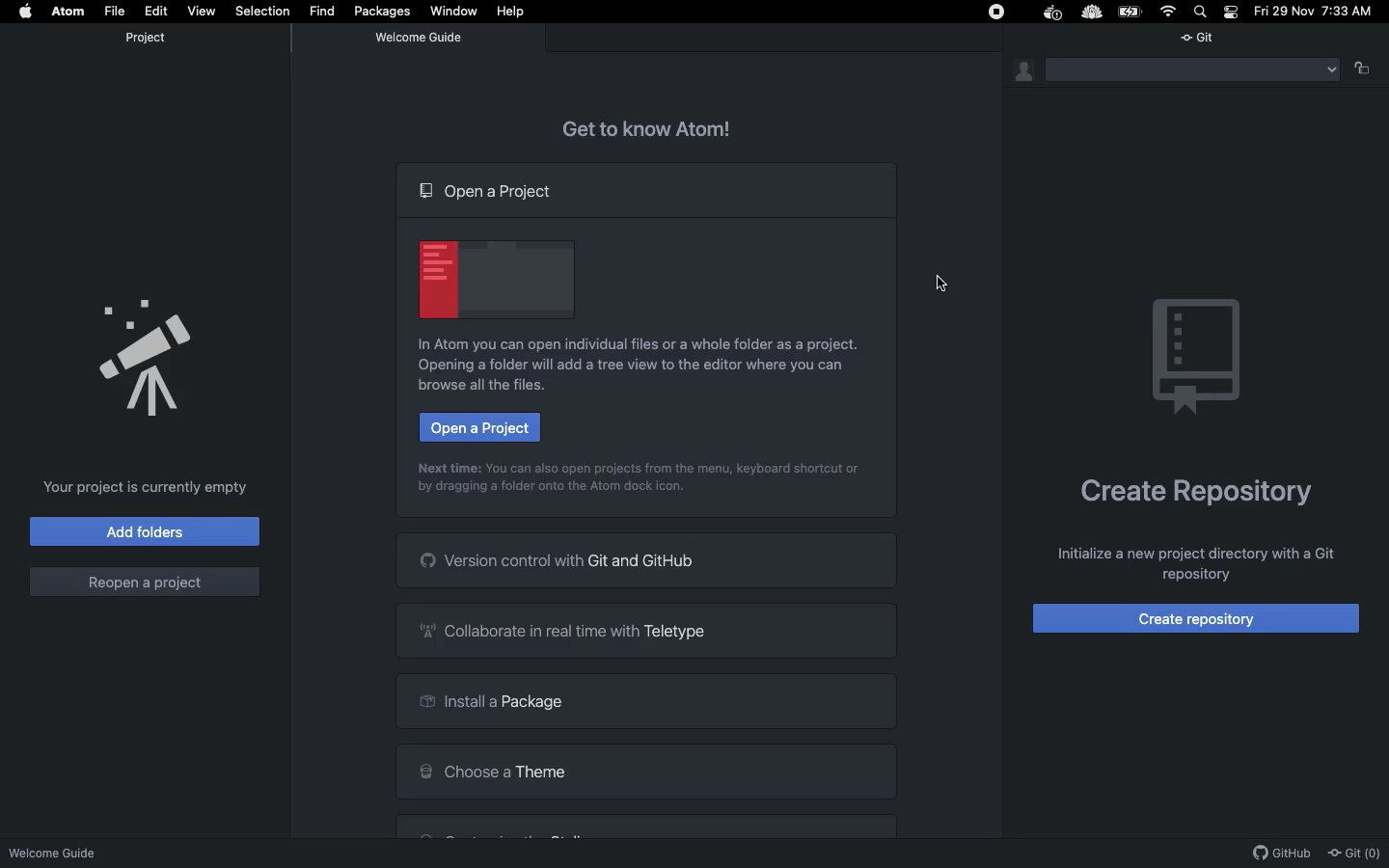 This screenshot has height=868, width=1389. Describe the element at coordinates (648, 702) in the screenshot. I see `Install a package` at that location.